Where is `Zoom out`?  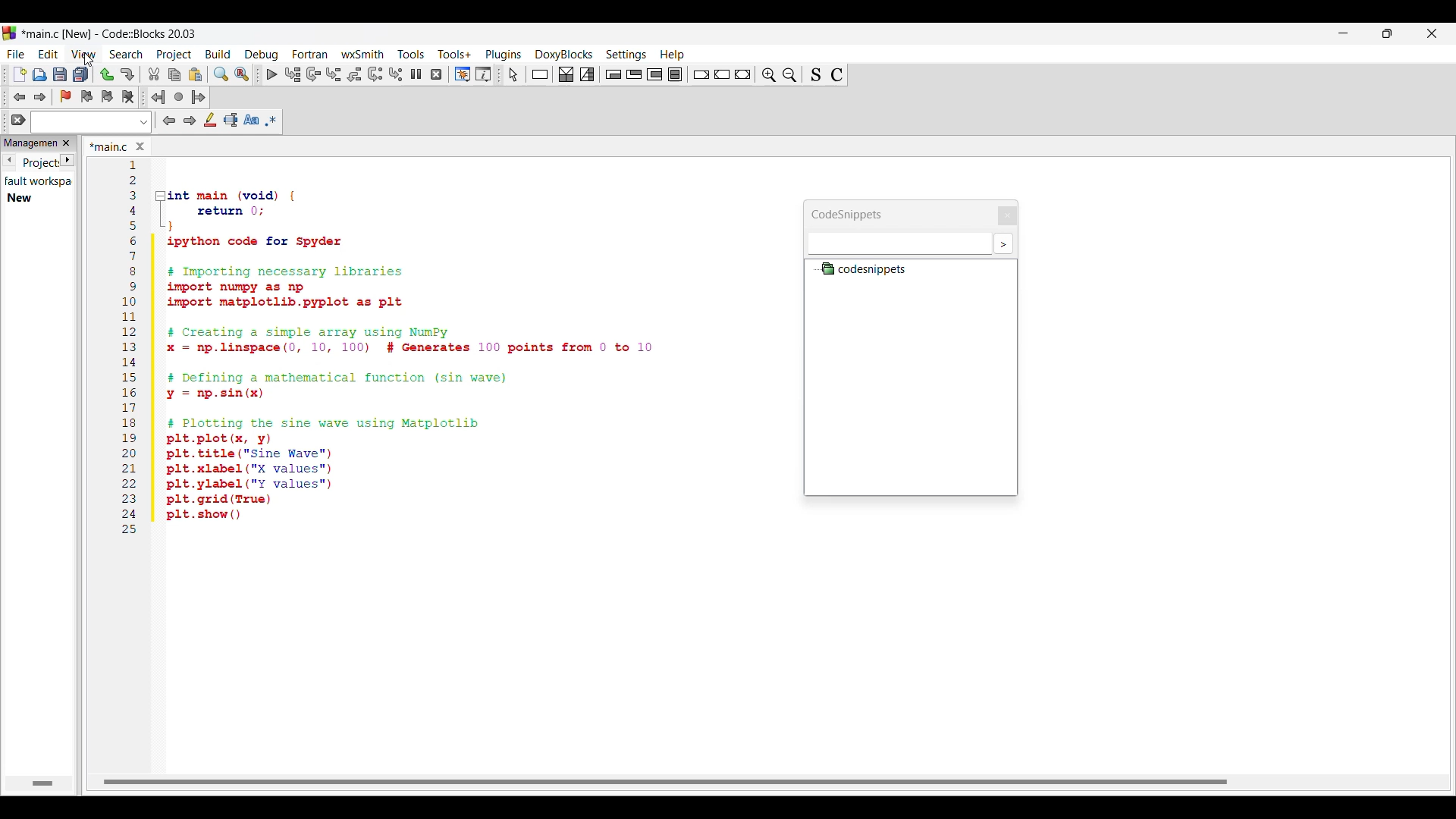
Zoom out is located at coordinates (768, 74).